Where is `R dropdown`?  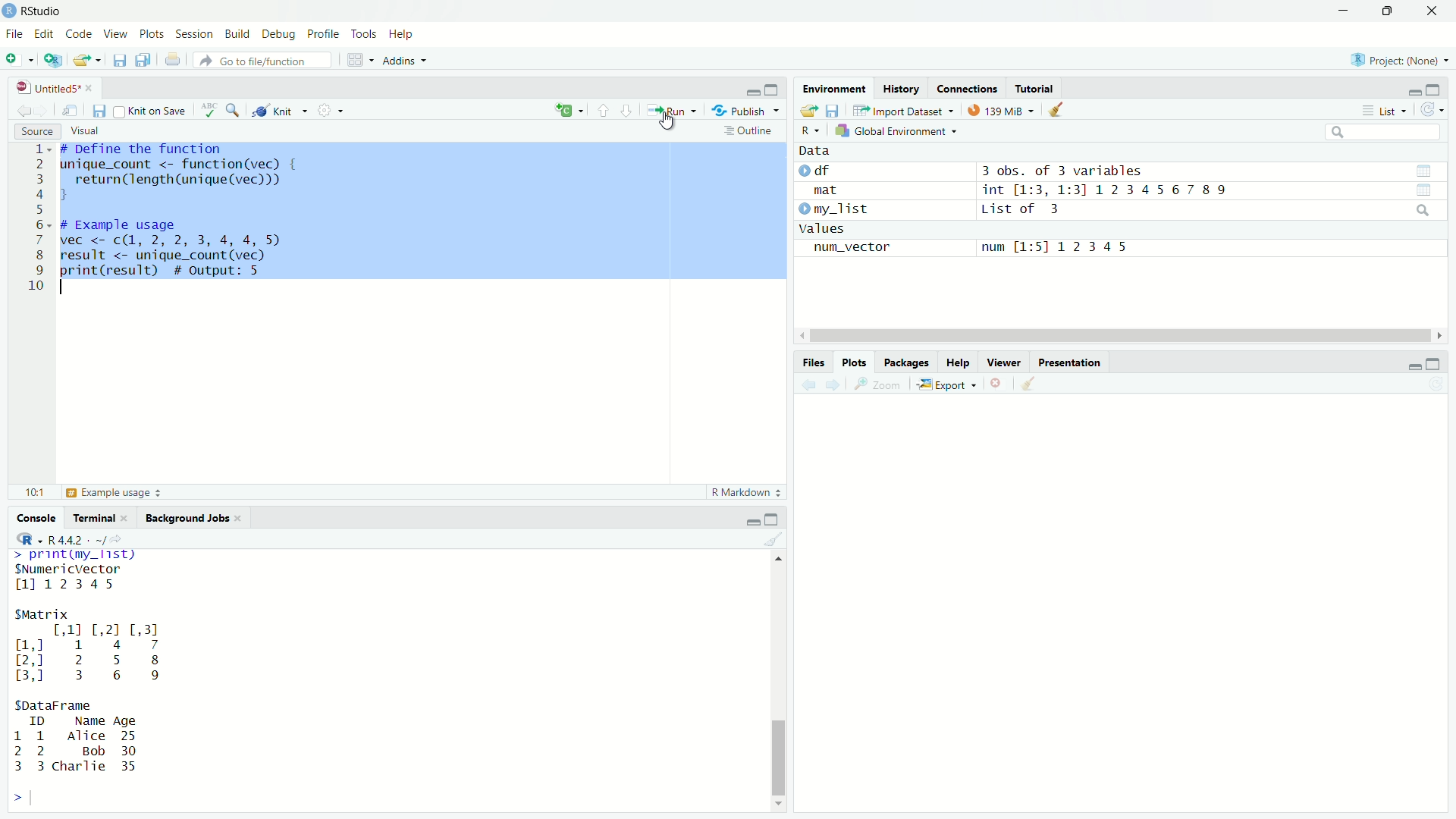 R dropdown is located at coordinates (814, 127).